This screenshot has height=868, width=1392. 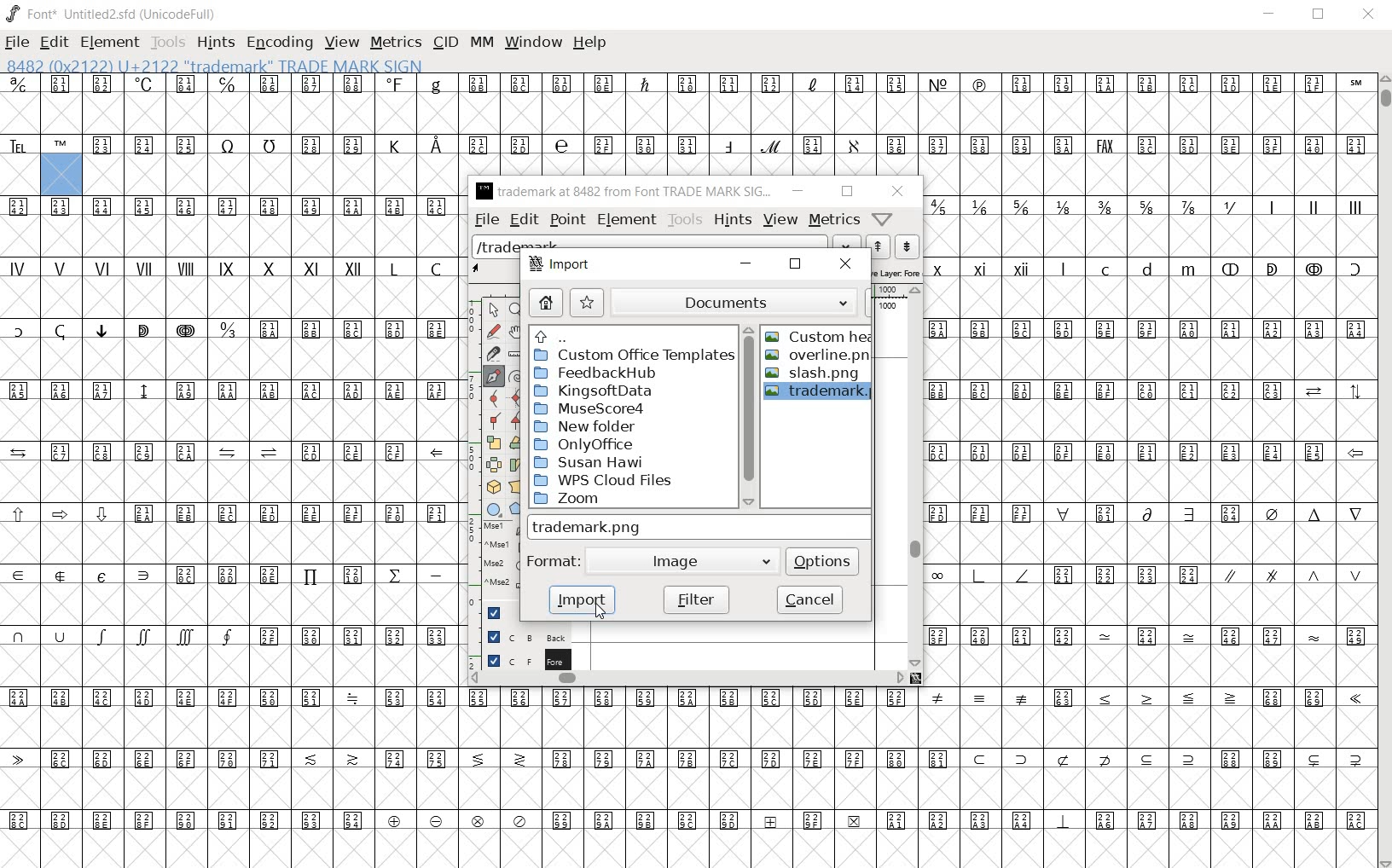 I want to click on magnify, so click(x=515, y=311).